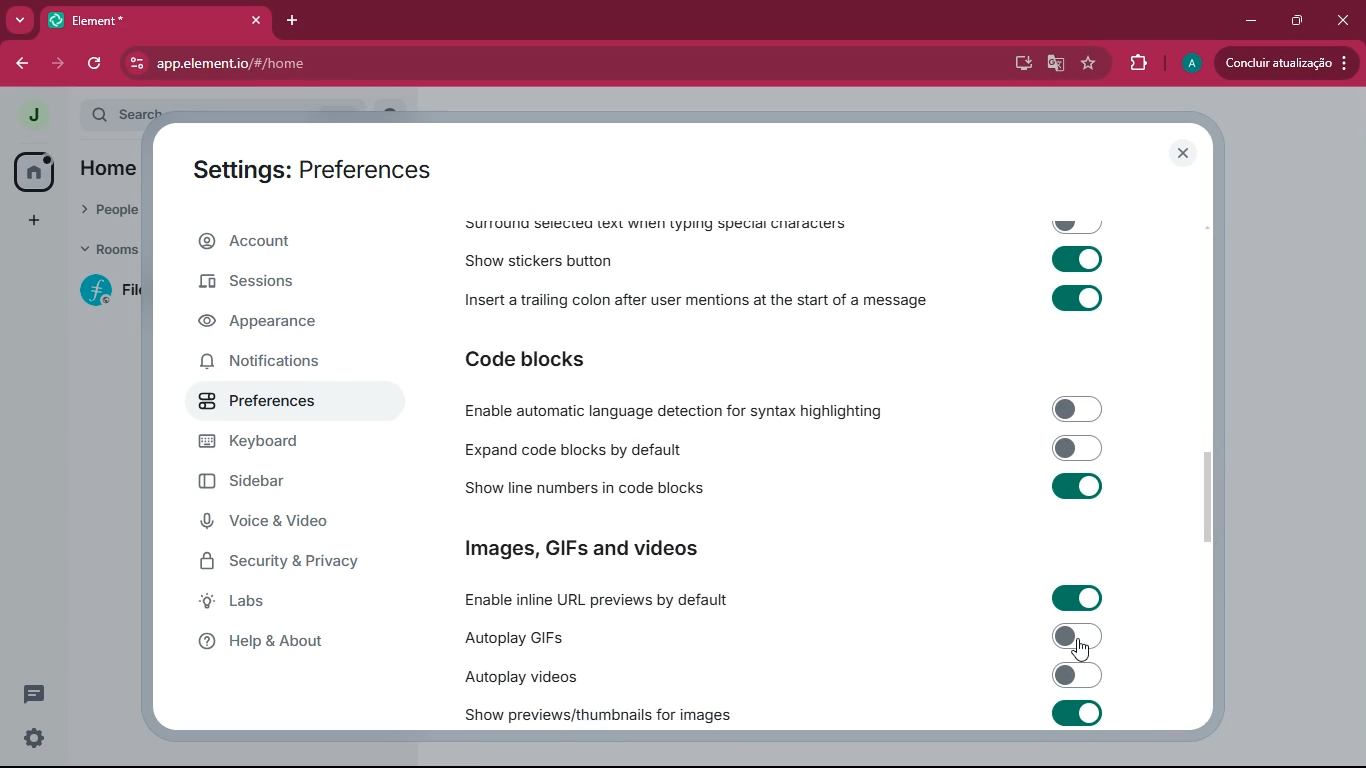 This screenshot has height=768, width=1366. I want to click on maximize, so click(1296, 22).